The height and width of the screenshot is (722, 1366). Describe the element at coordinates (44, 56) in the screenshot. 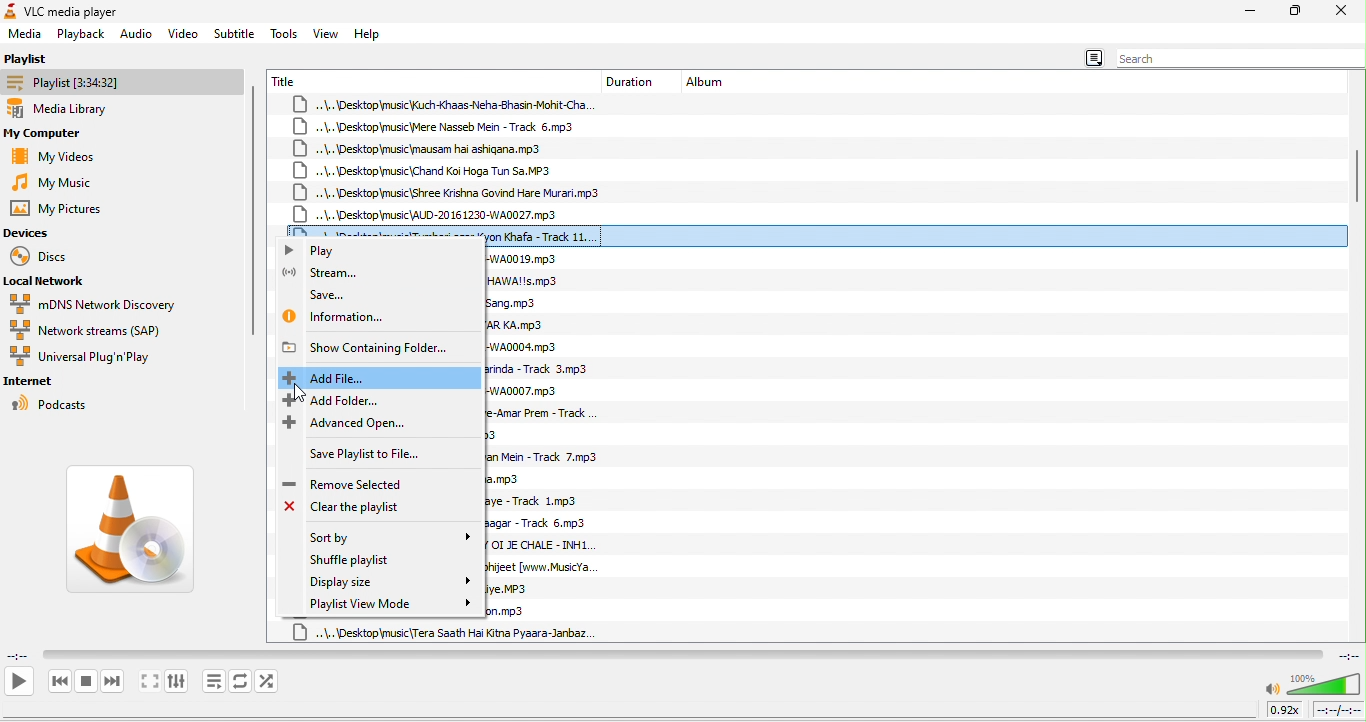

I see `playlist` at that location.